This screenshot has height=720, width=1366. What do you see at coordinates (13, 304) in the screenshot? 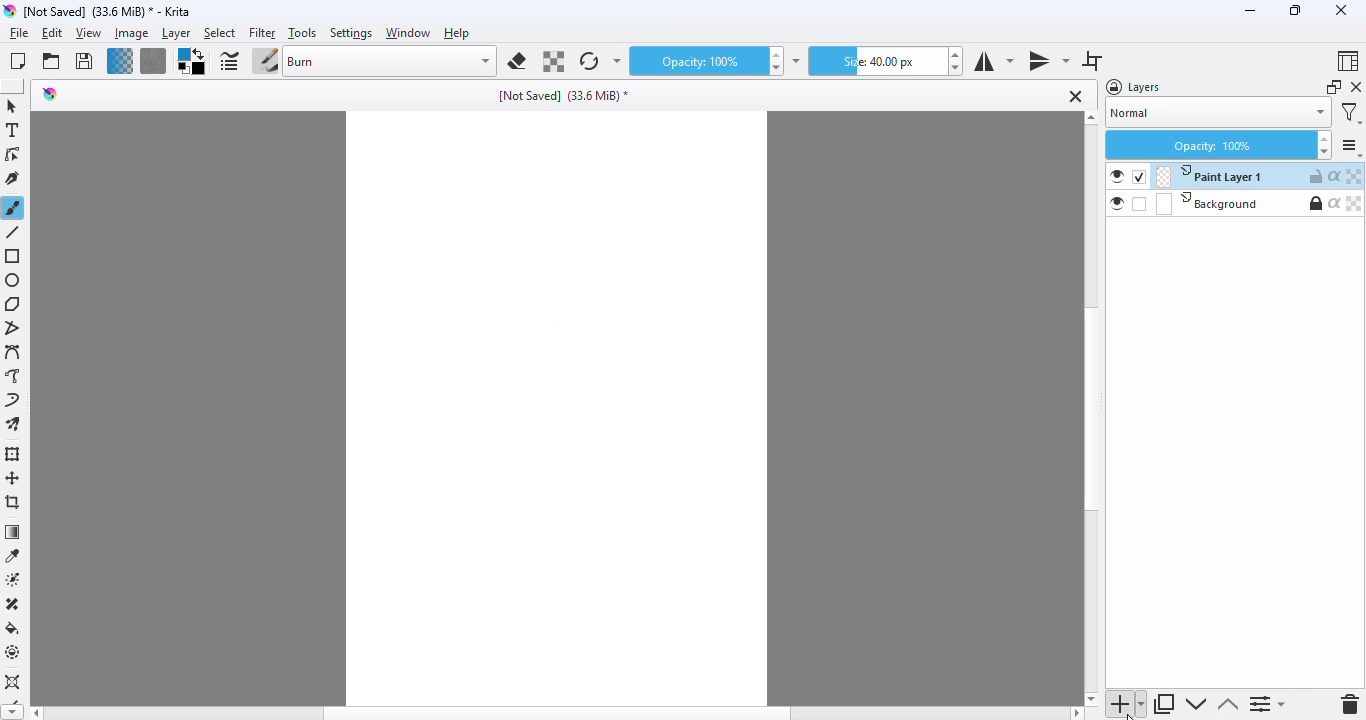
I see `polygon tool` at bounding box center [13, 304].